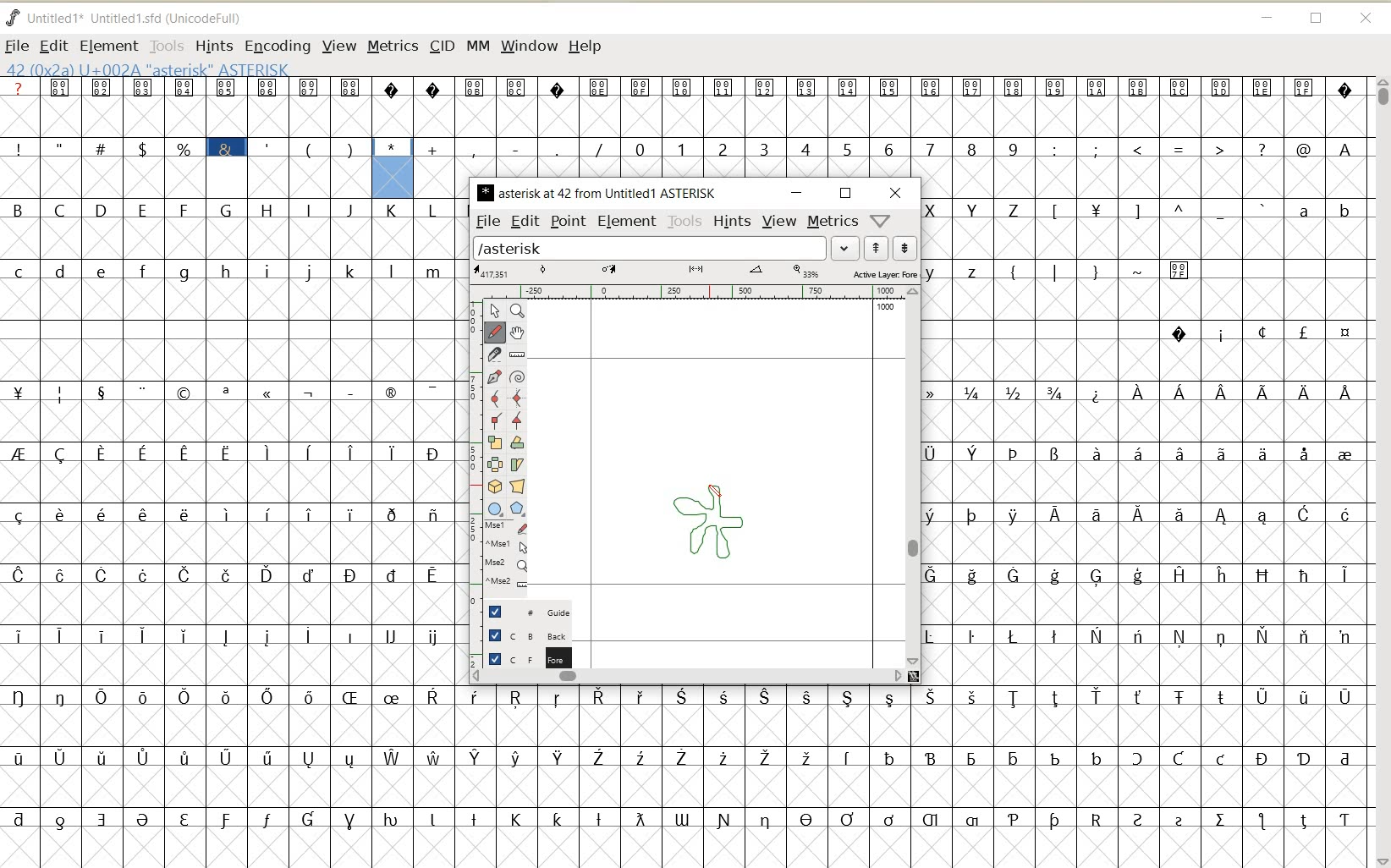  Describe the element at coordinates (517, 444) in the screenshot. I see `rotate the selection` at that location.